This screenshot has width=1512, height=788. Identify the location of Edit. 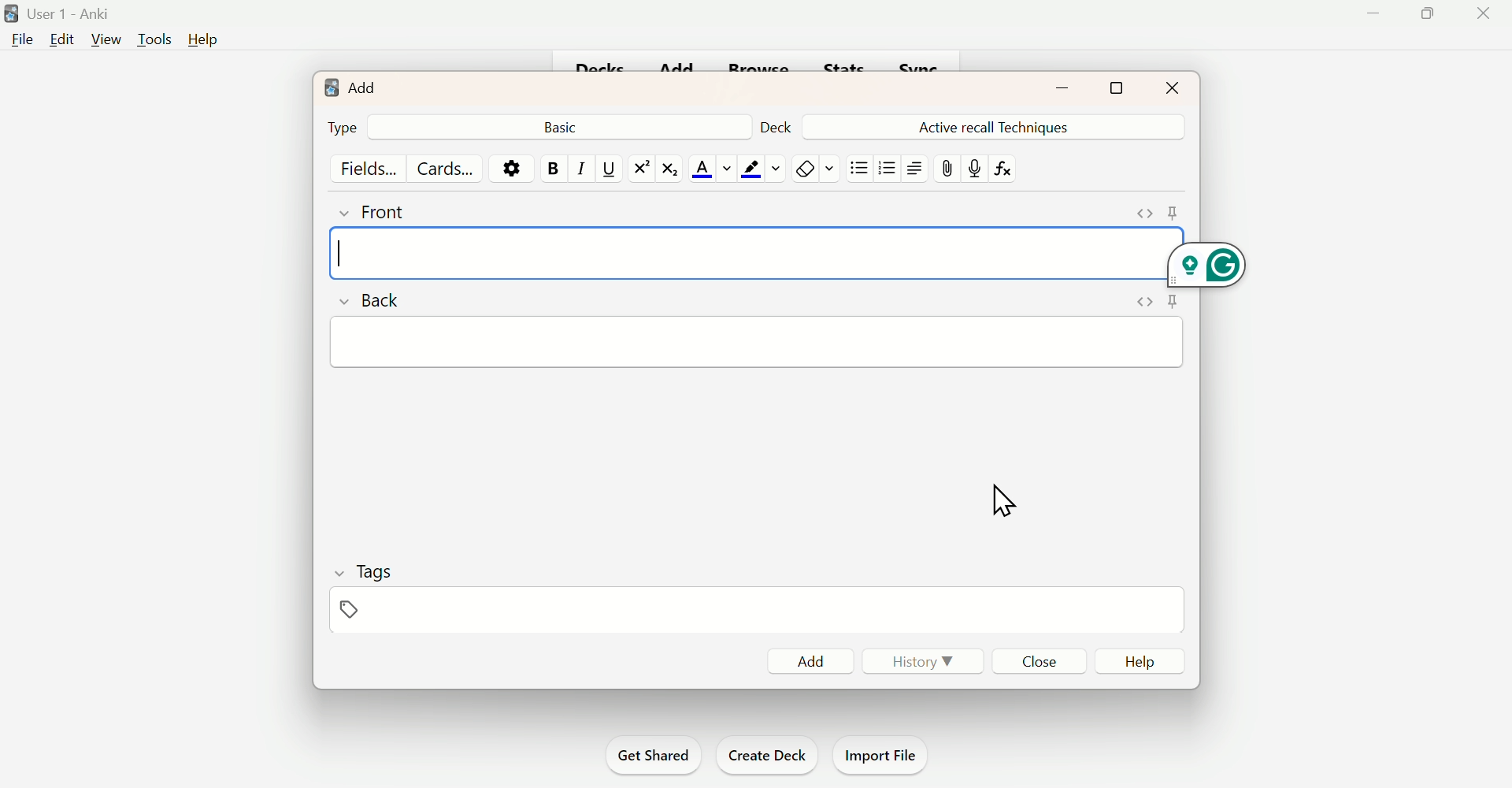
(61, 39).